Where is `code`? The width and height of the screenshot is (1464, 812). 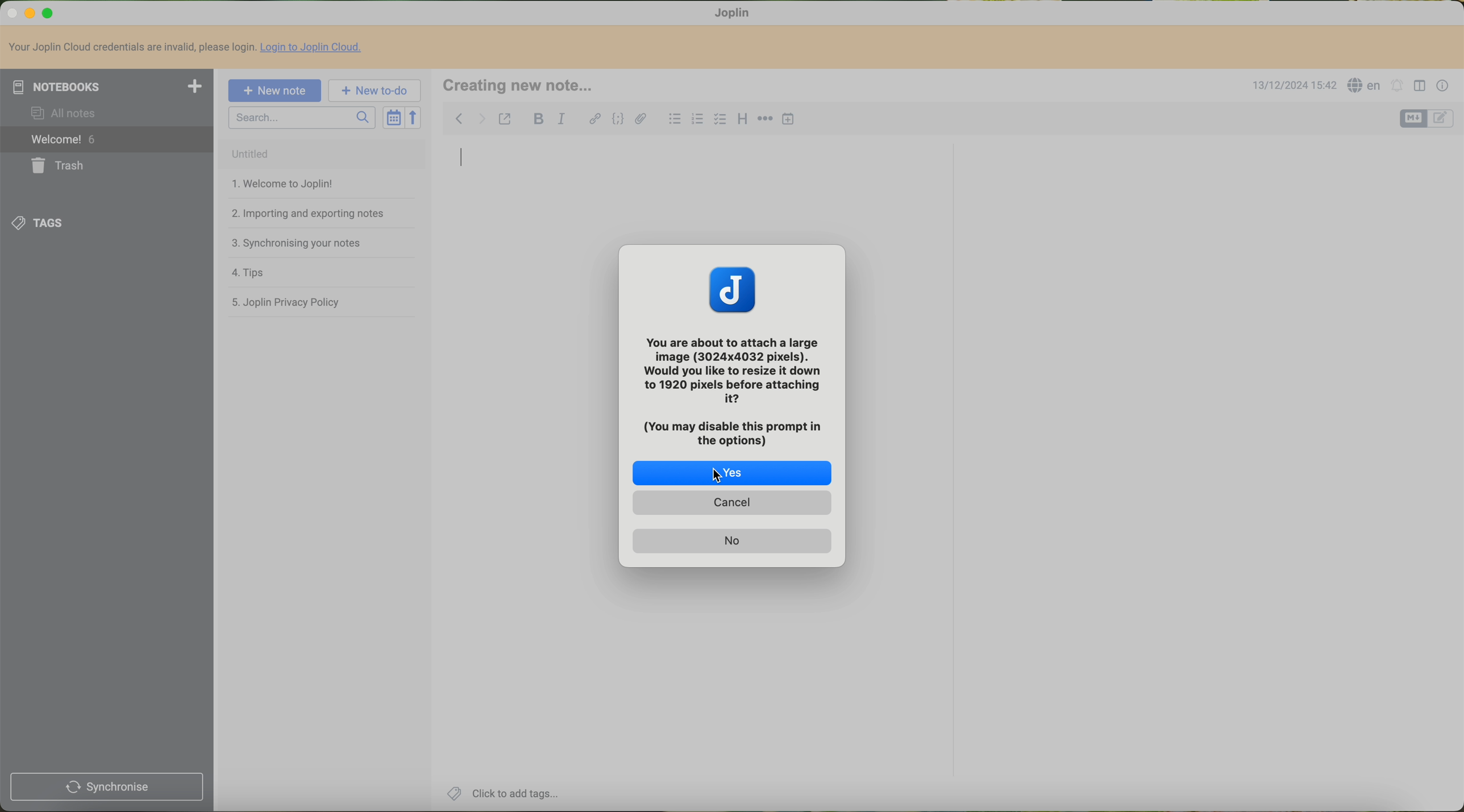
code is located at coordinates (617, 120).